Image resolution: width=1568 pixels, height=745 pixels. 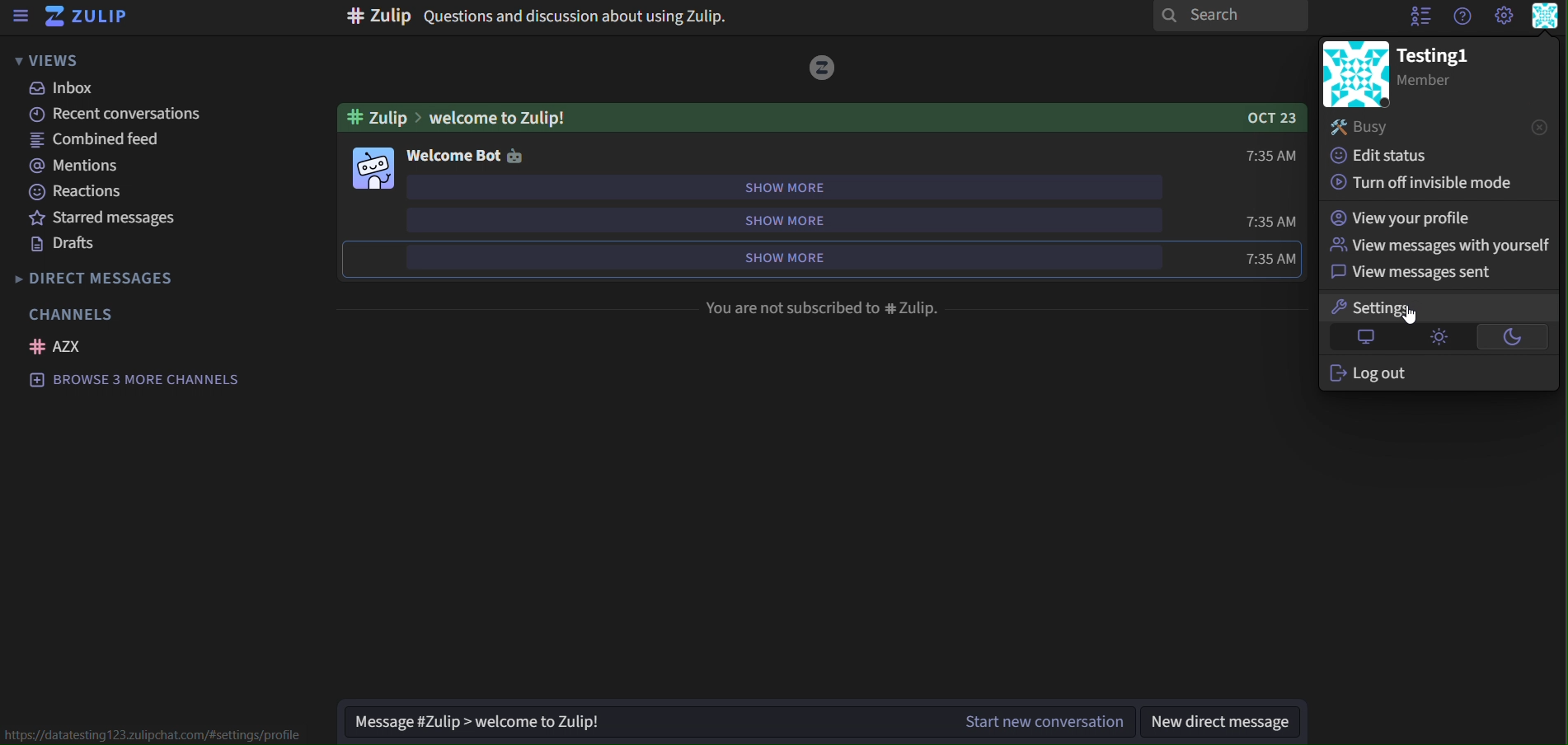 What do you see at coordinates (101, 217) in the screenshot?
I see `starred messages` at bounding box center [101, 217].